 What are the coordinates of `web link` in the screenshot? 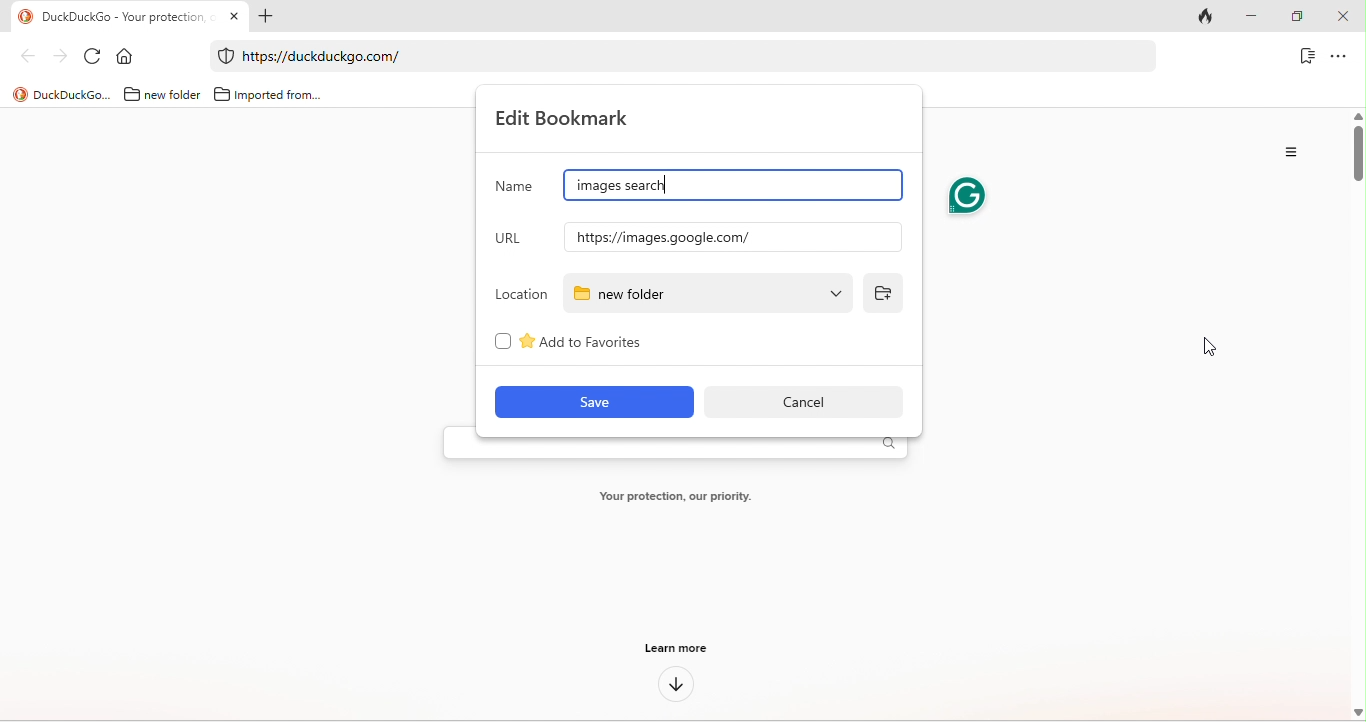 It's located at (672, 56).